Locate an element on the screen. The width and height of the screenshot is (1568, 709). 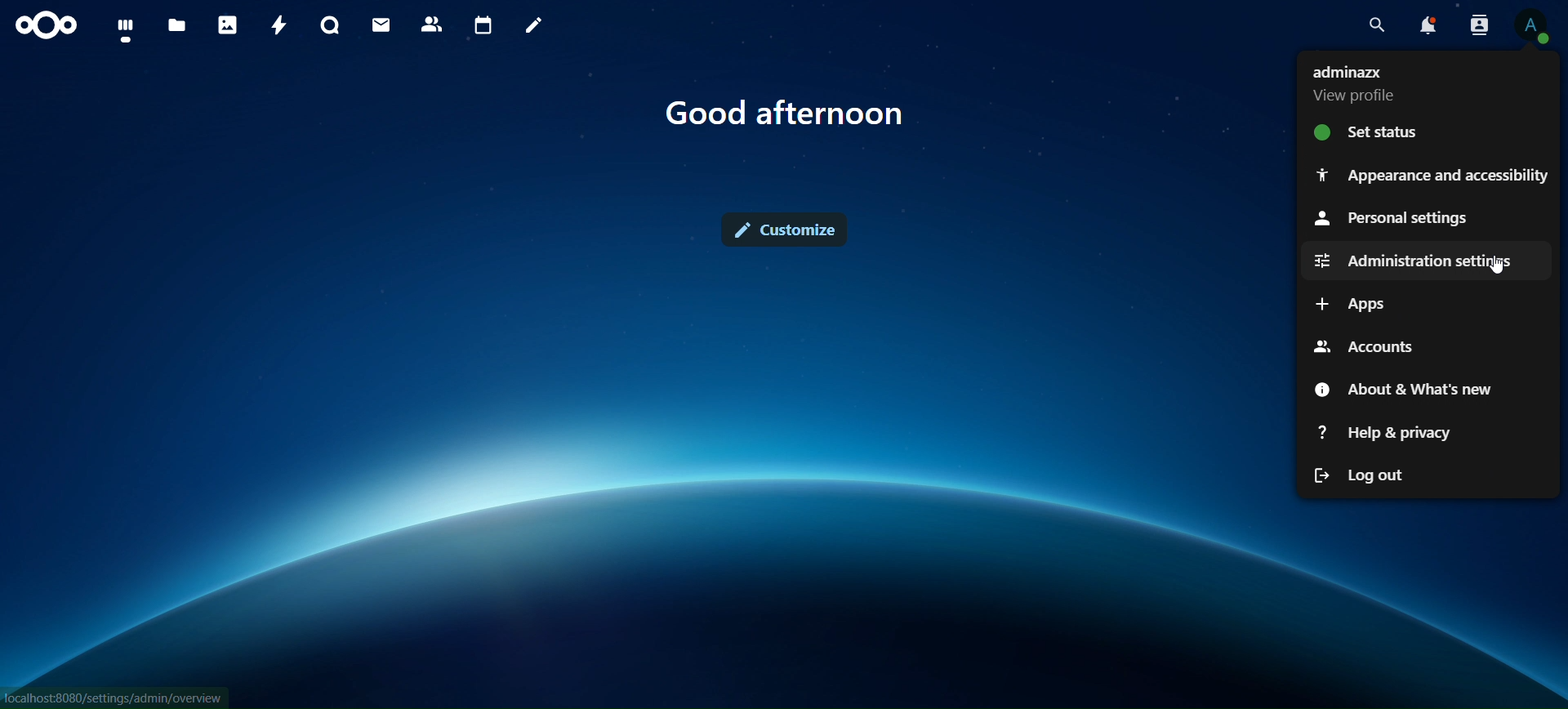
photos is located at coordinates (227, 25).